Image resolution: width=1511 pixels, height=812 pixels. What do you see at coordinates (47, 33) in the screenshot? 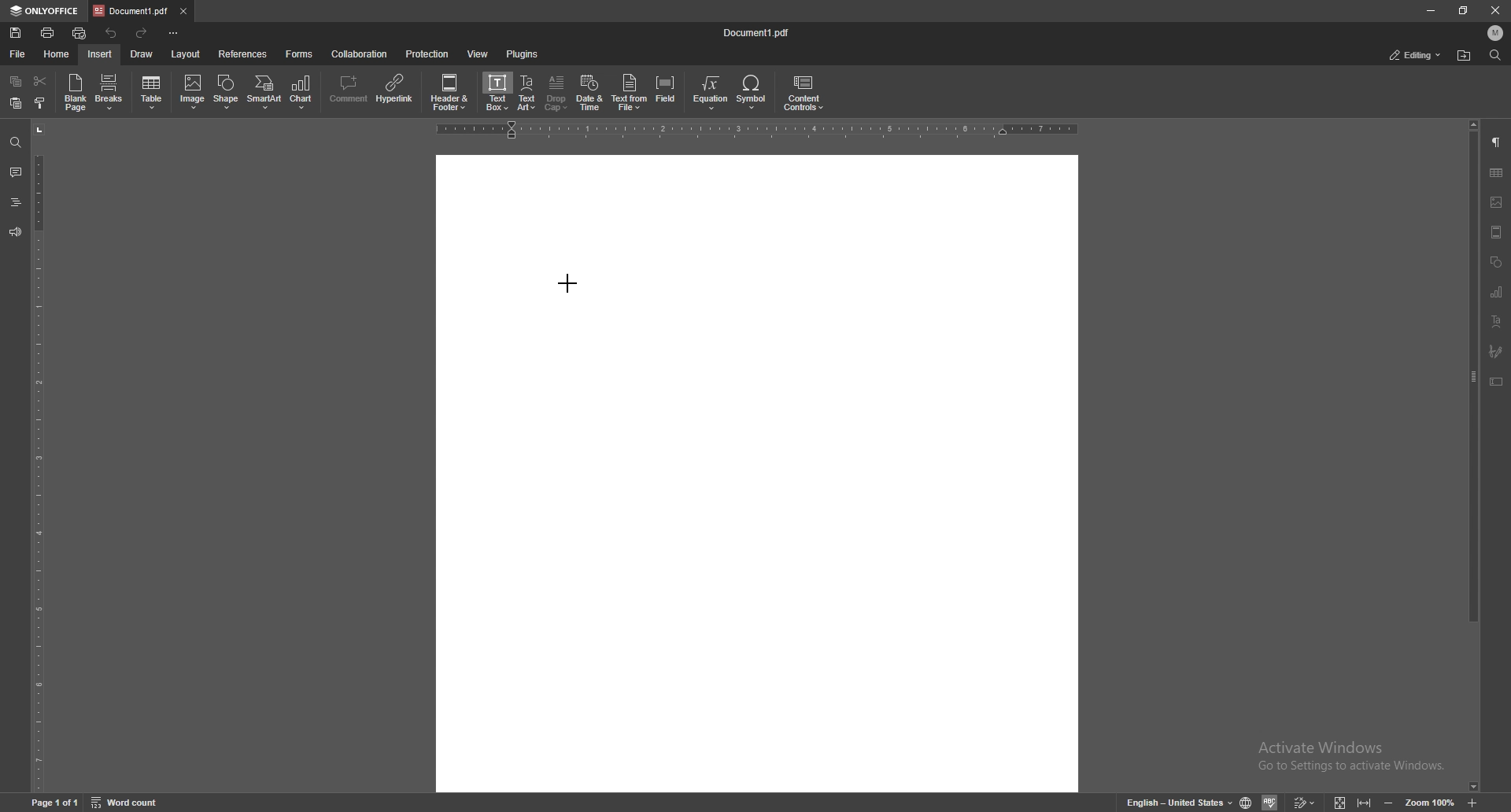
I see `print` at bounding box center [47, 33].